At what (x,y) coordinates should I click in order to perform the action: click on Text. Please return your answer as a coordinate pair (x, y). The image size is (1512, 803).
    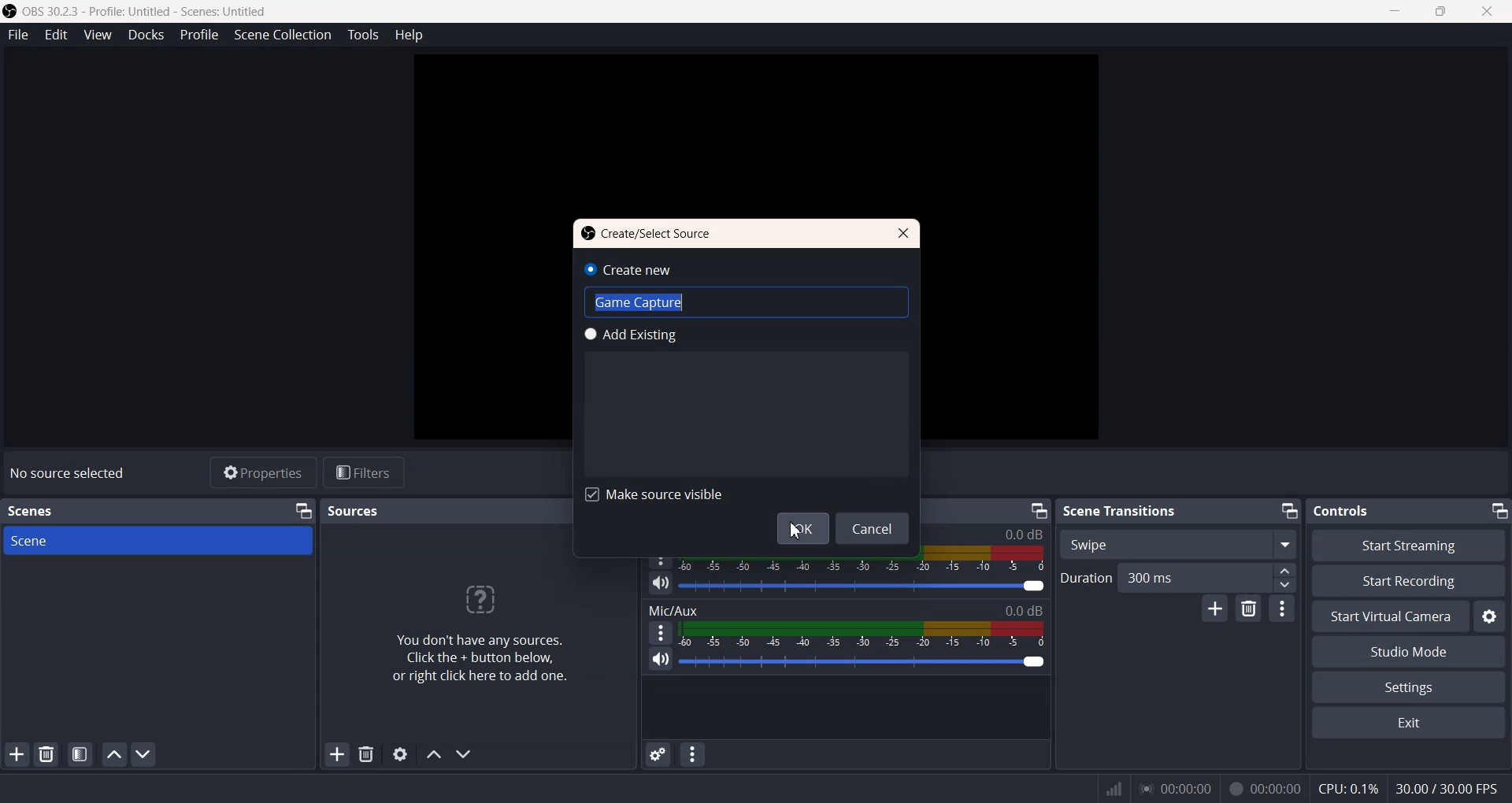
    Looking at the image, I should click on (35, 512).